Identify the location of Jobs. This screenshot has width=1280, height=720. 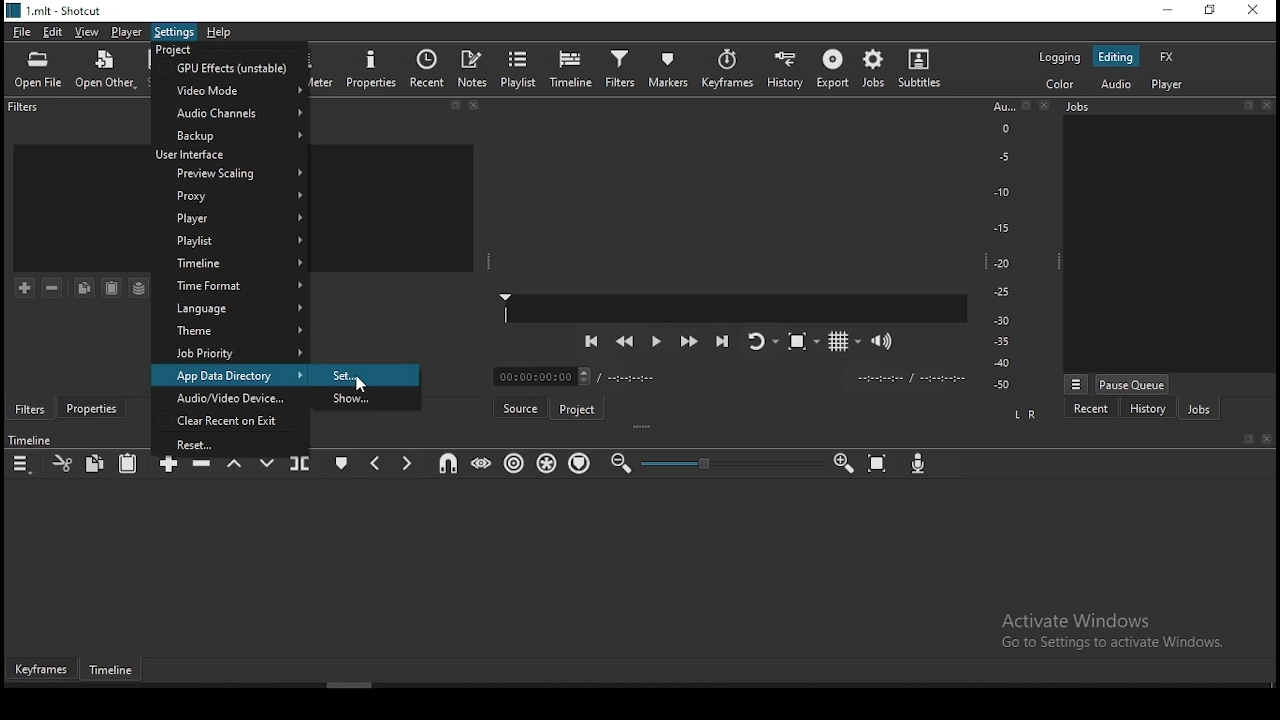
(1124, 110).